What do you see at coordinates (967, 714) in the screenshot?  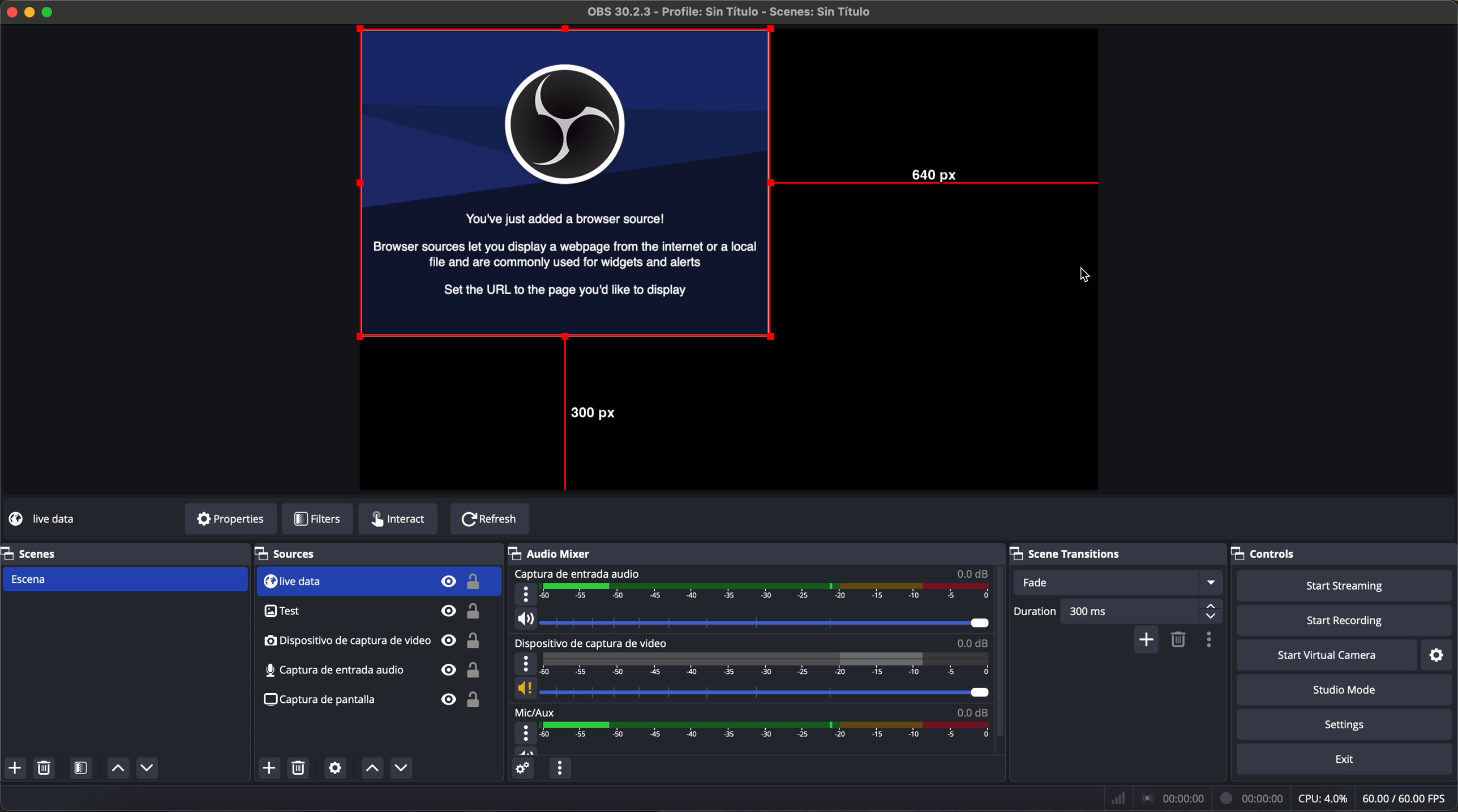 I see `0.0 dB` at bounding box center [967, 714].